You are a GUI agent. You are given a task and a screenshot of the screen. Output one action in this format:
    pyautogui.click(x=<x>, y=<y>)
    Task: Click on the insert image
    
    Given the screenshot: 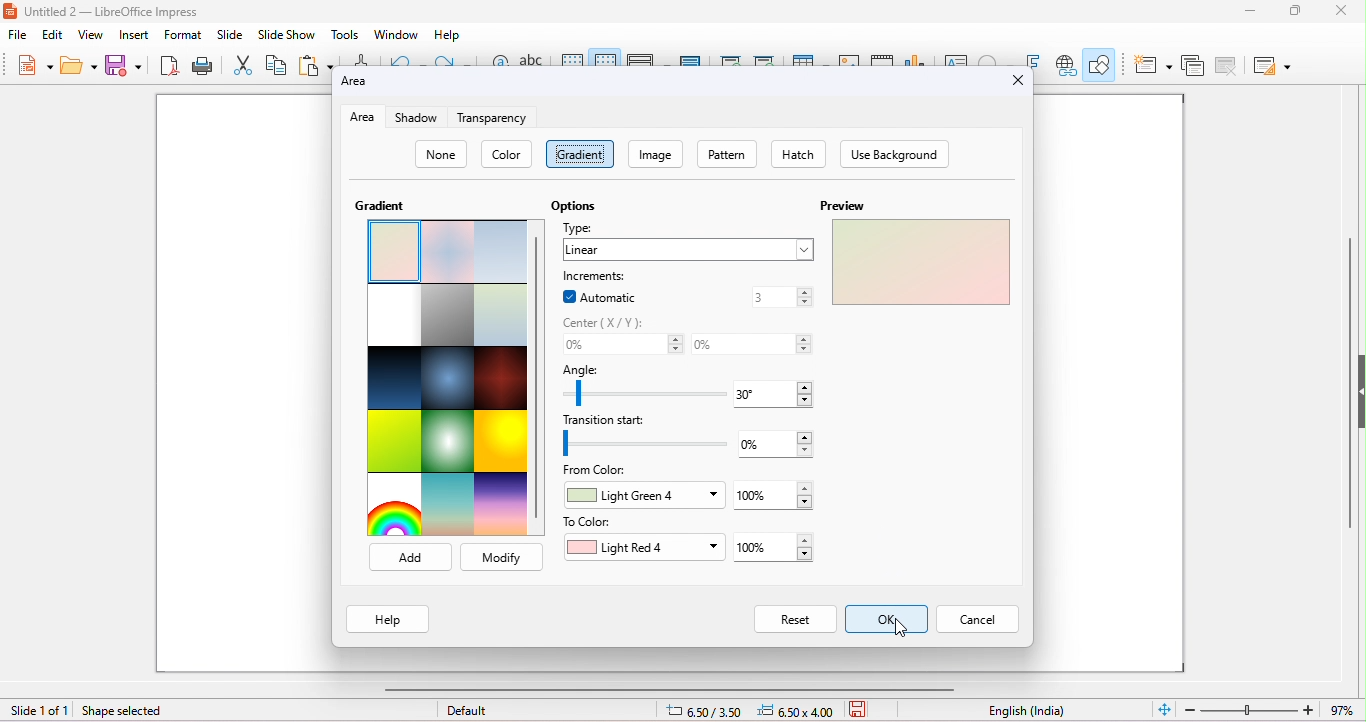 What is the action you would take?
    pyautogui.click(x=849, y=57)
    